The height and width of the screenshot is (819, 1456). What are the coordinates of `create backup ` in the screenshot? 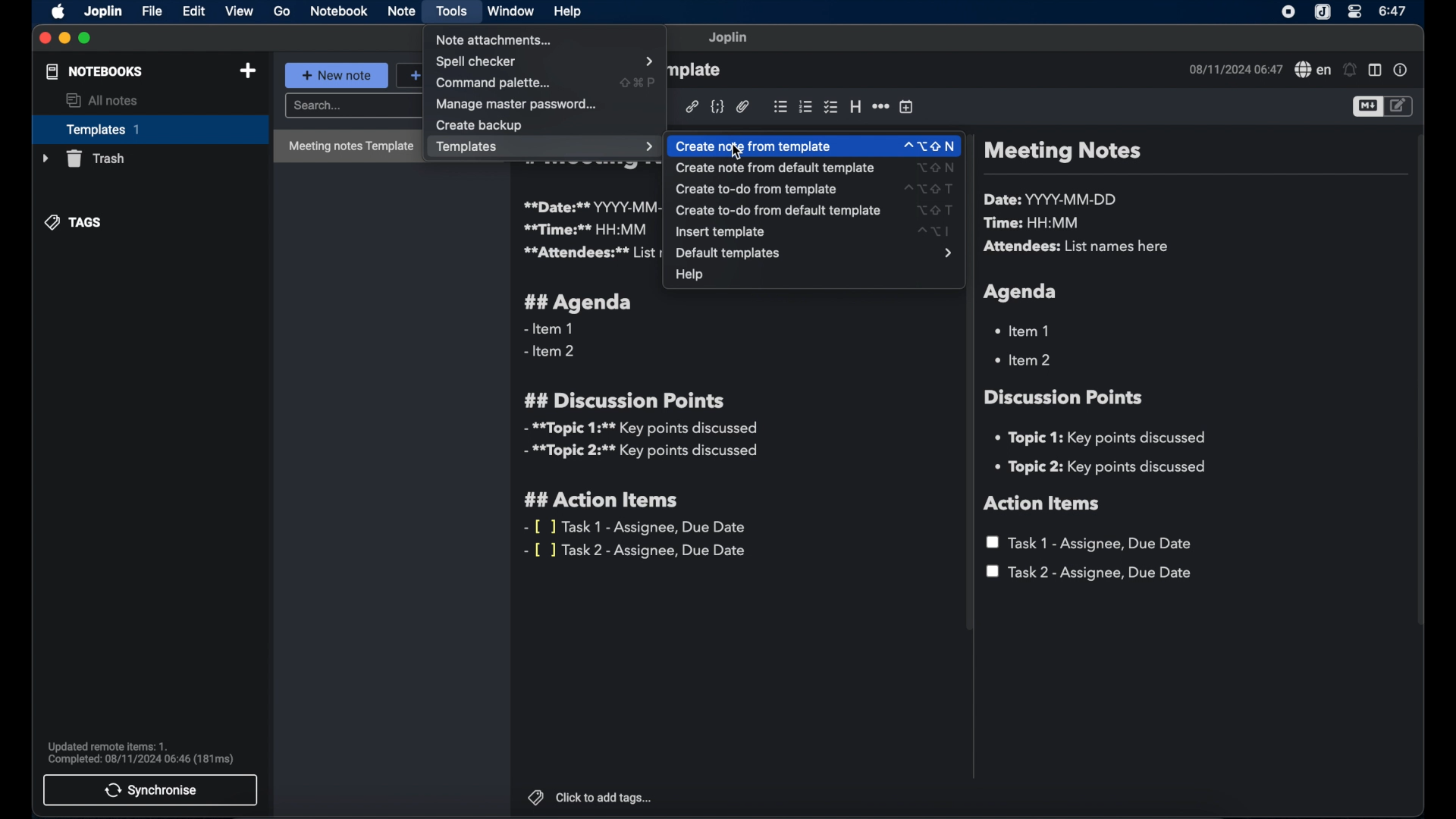 It's located at (479, 125).